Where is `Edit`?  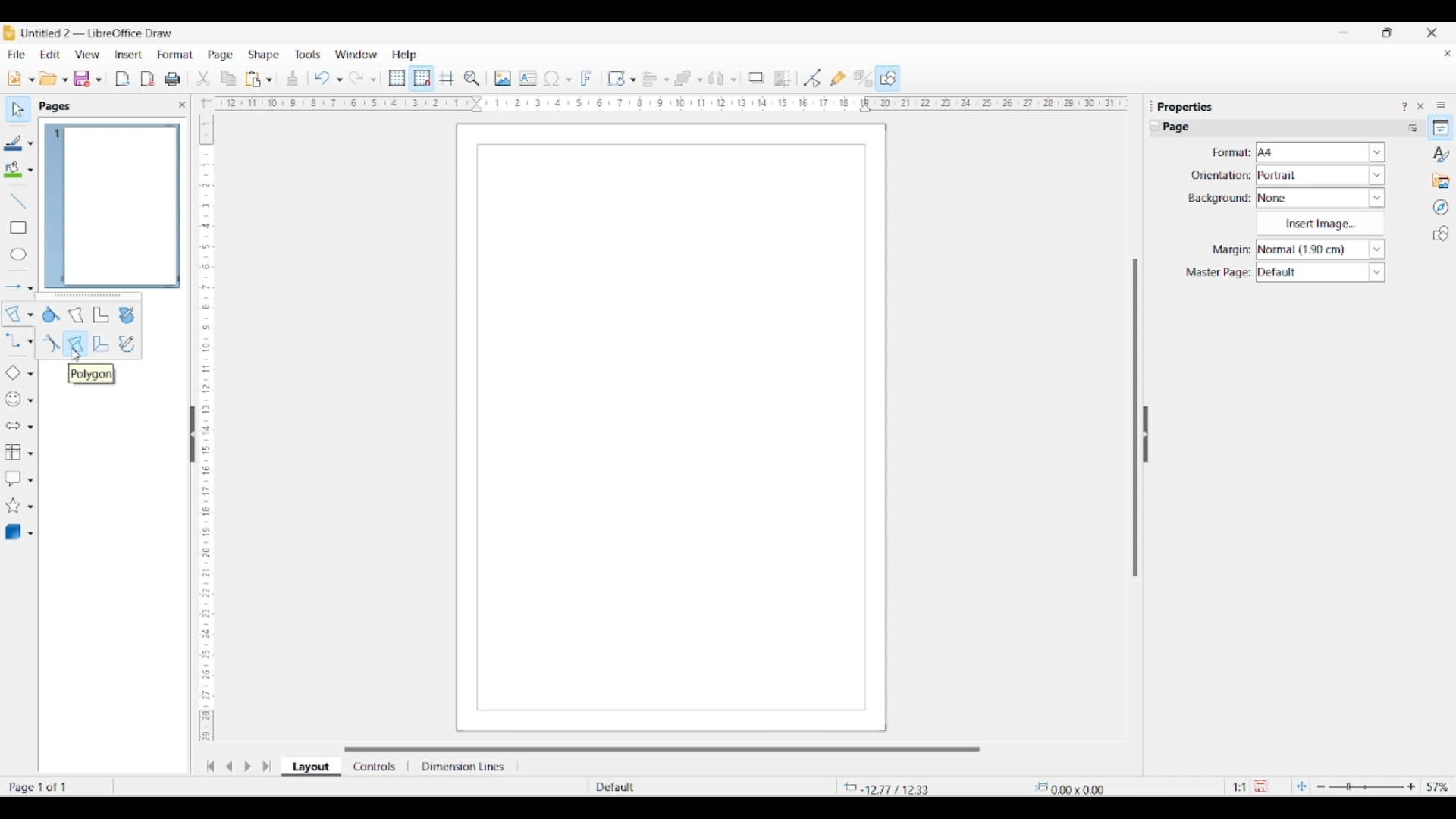 Edit is located at coordinates (50, 55).